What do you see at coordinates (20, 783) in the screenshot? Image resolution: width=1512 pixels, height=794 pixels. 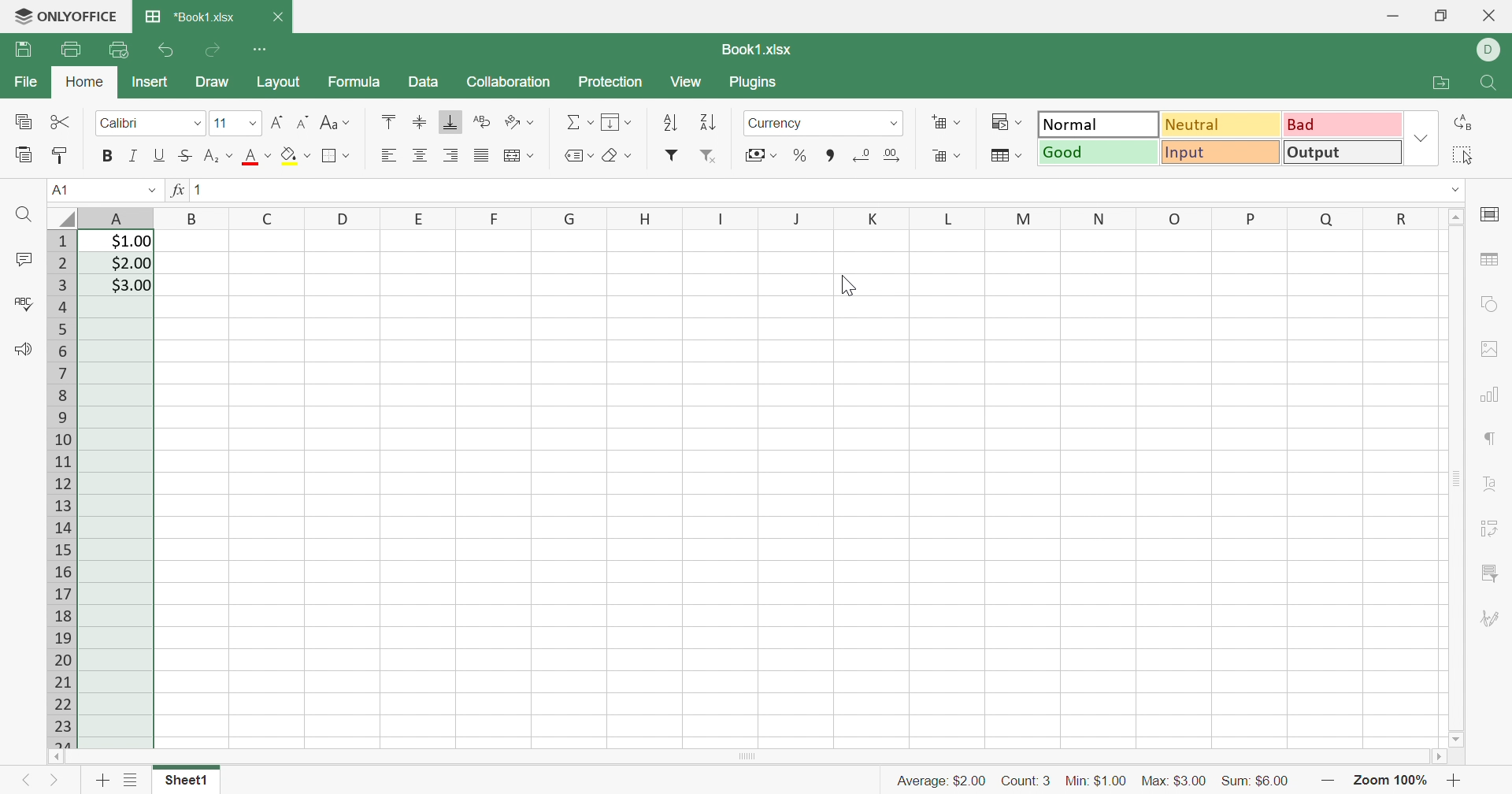 I see `Previous` at bounding box center [20, 783].